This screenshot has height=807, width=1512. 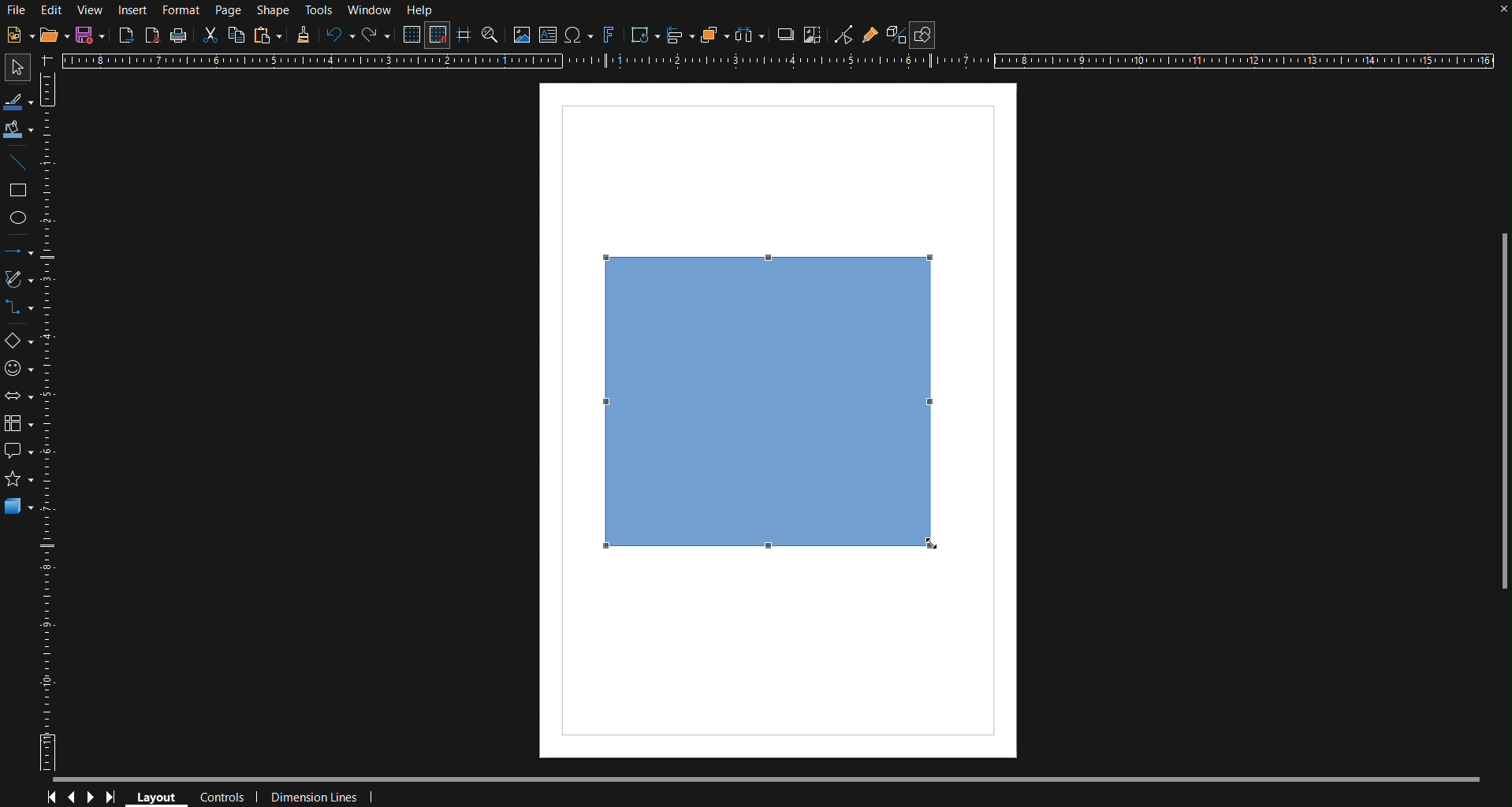 I want to click on Help, so click(x=422, y=10).